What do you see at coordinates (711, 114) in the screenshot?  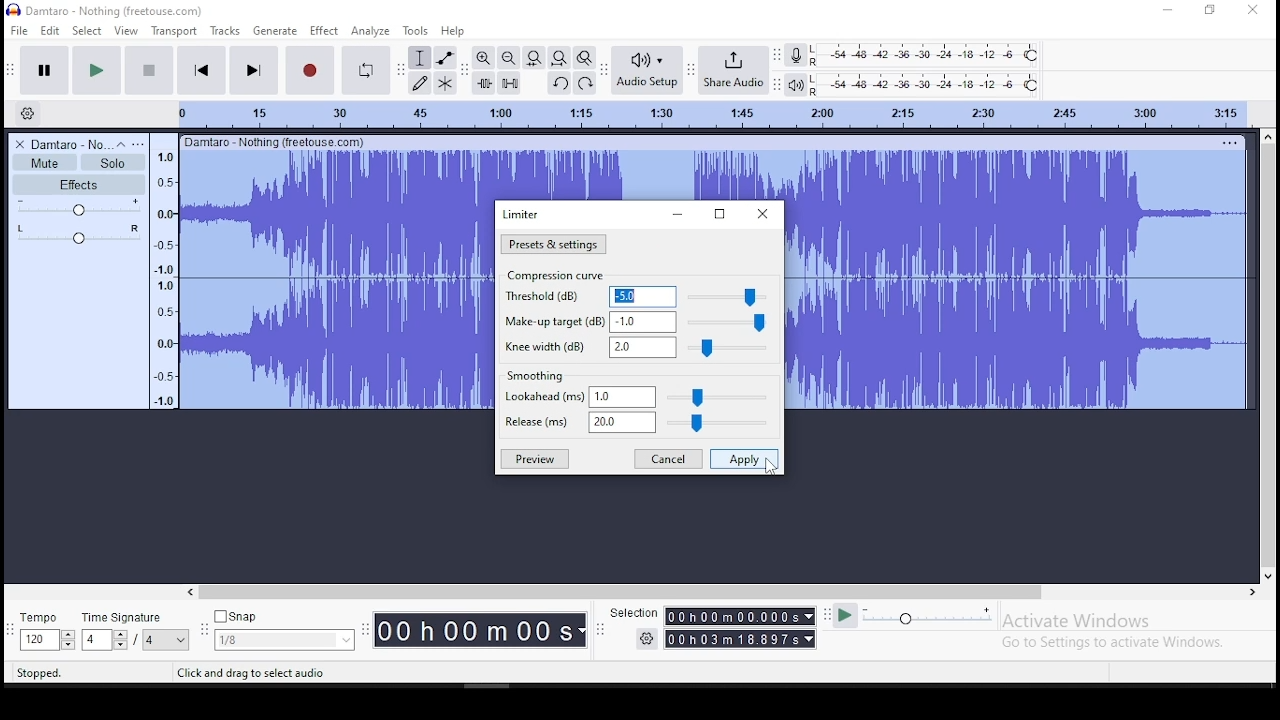 I see `track time` at bounding box center [711, 114].